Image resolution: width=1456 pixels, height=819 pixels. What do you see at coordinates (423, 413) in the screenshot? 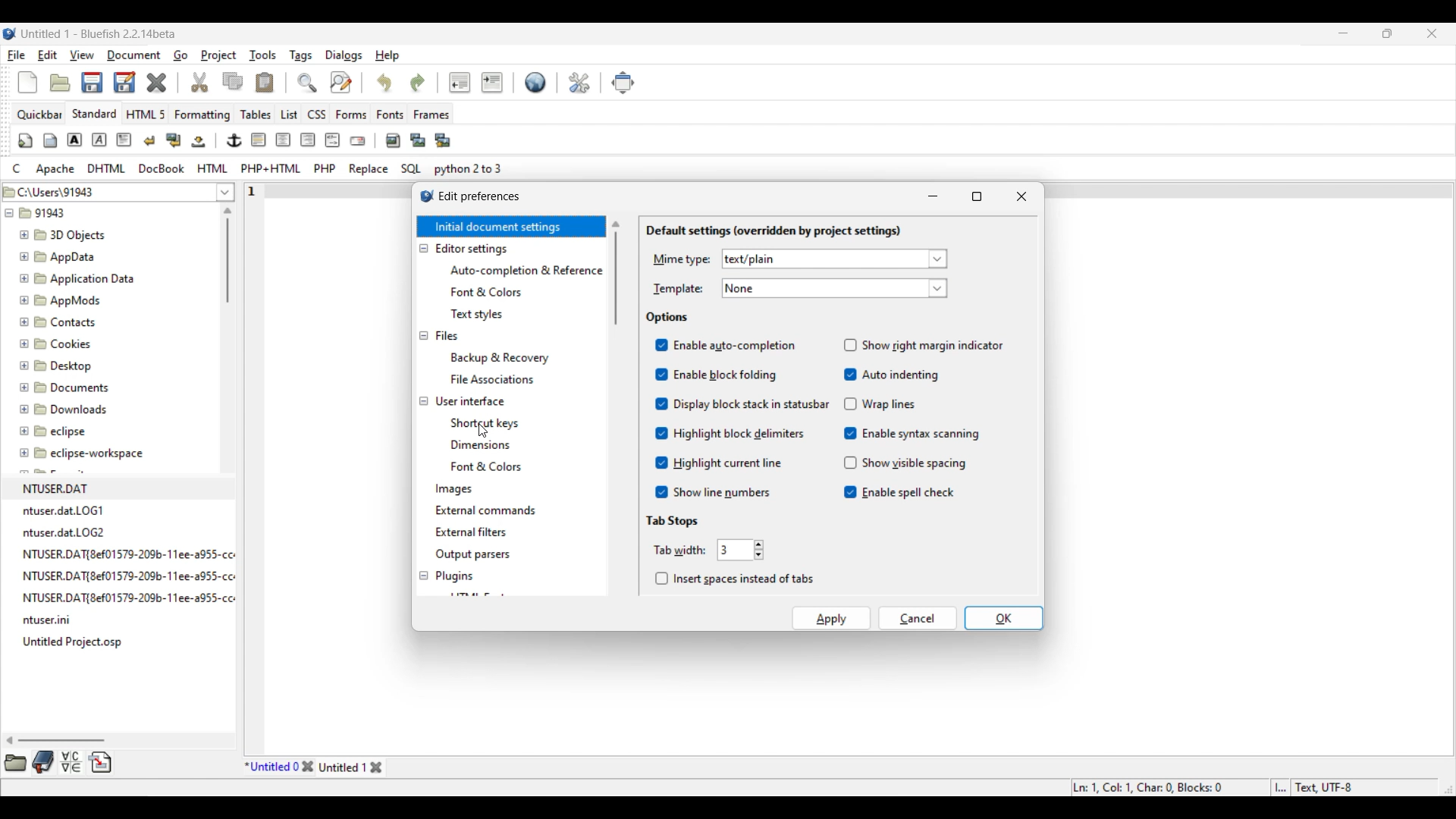
I see `Collapse settings` at bounding box center [423, 413].